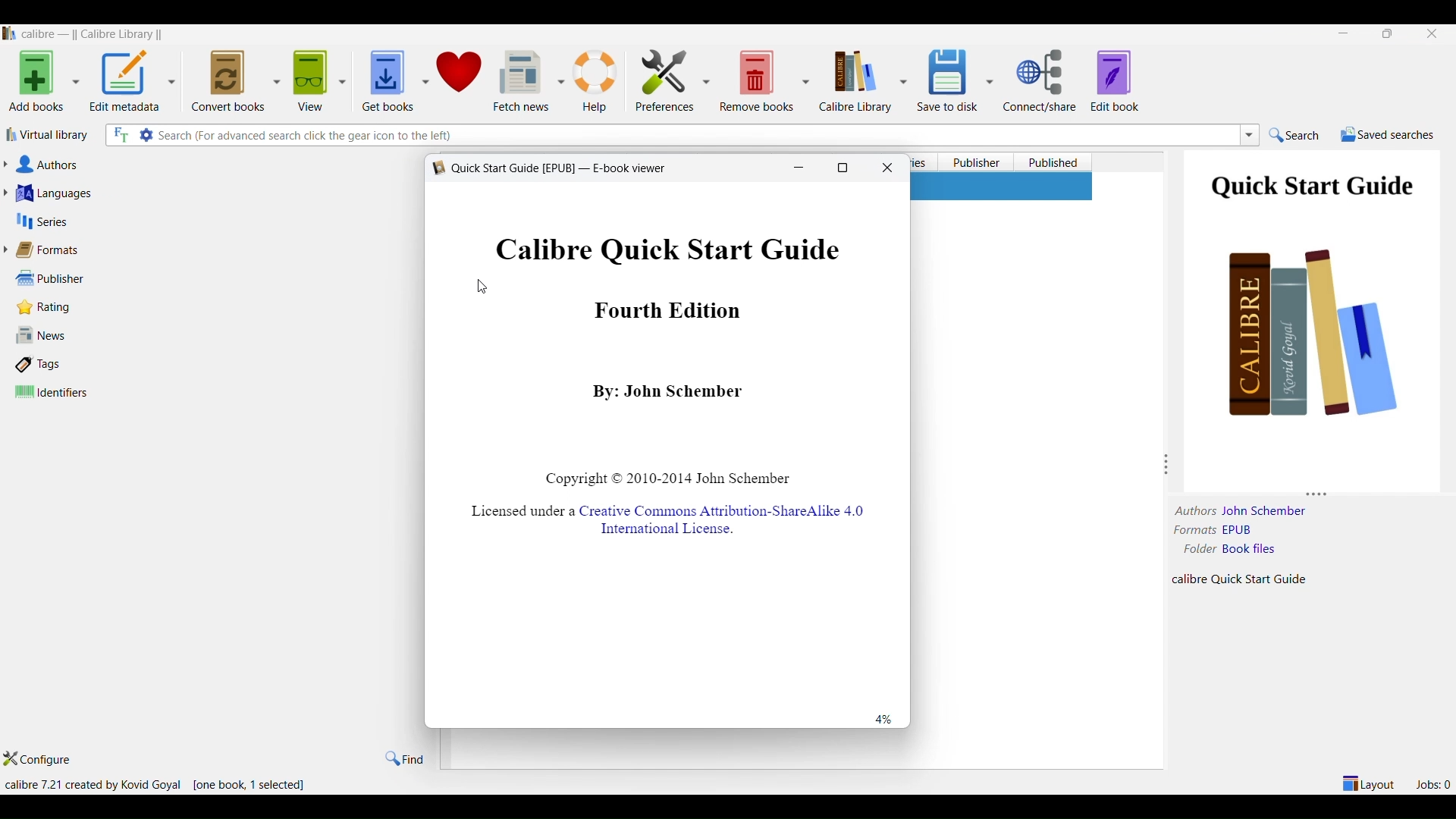  What do you see at coordinates (1194, 531) in the screenshot?
I see `formats` at bounding box center [1194, 531].